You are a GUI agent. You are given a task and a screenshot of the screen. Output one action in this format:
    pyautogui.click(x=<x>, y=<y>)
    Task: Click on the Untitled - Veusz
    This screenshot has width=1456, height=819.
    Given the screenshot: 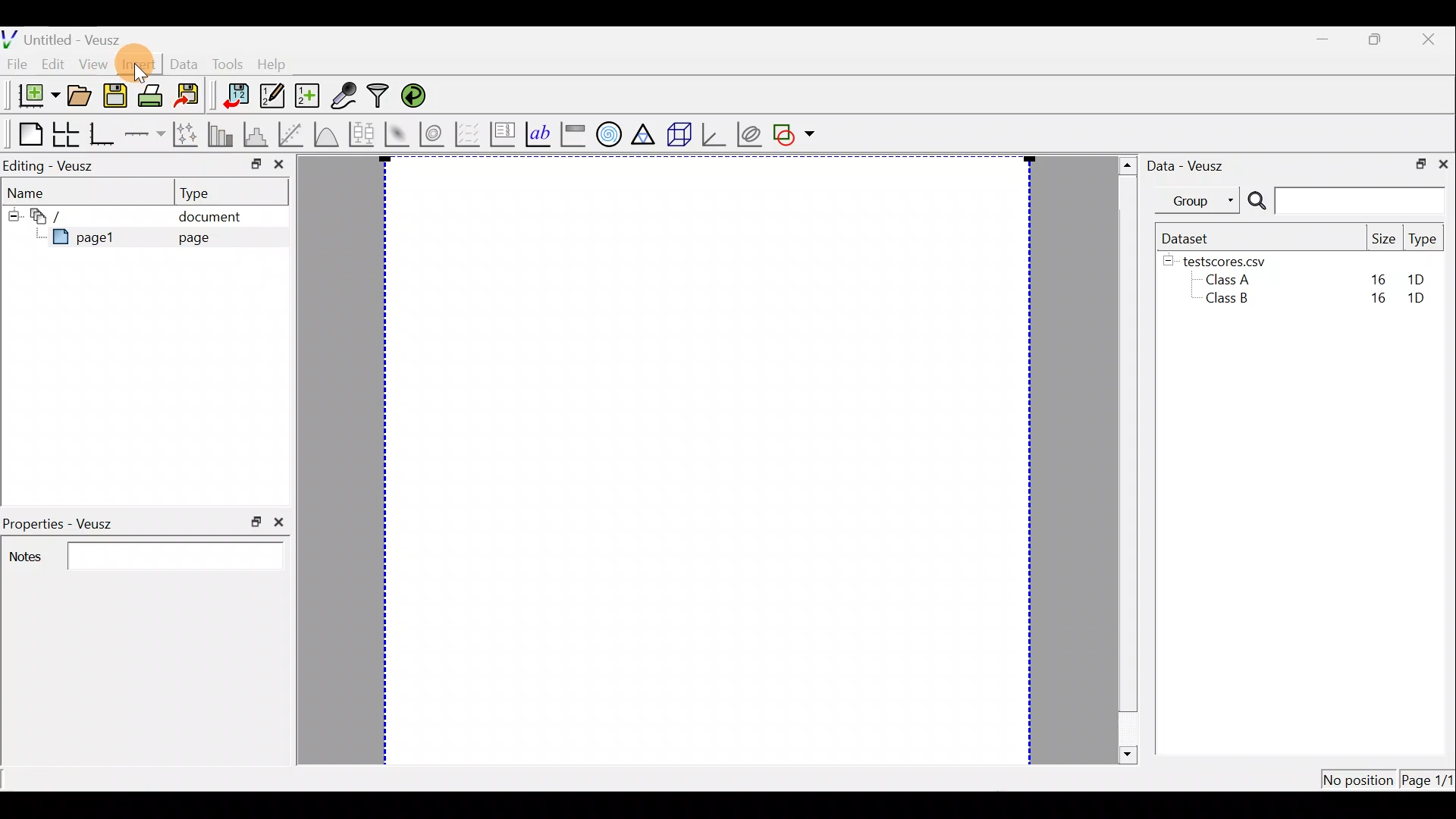 What is the action you would take?
    pyautogui.click(x=67, y=37)
    